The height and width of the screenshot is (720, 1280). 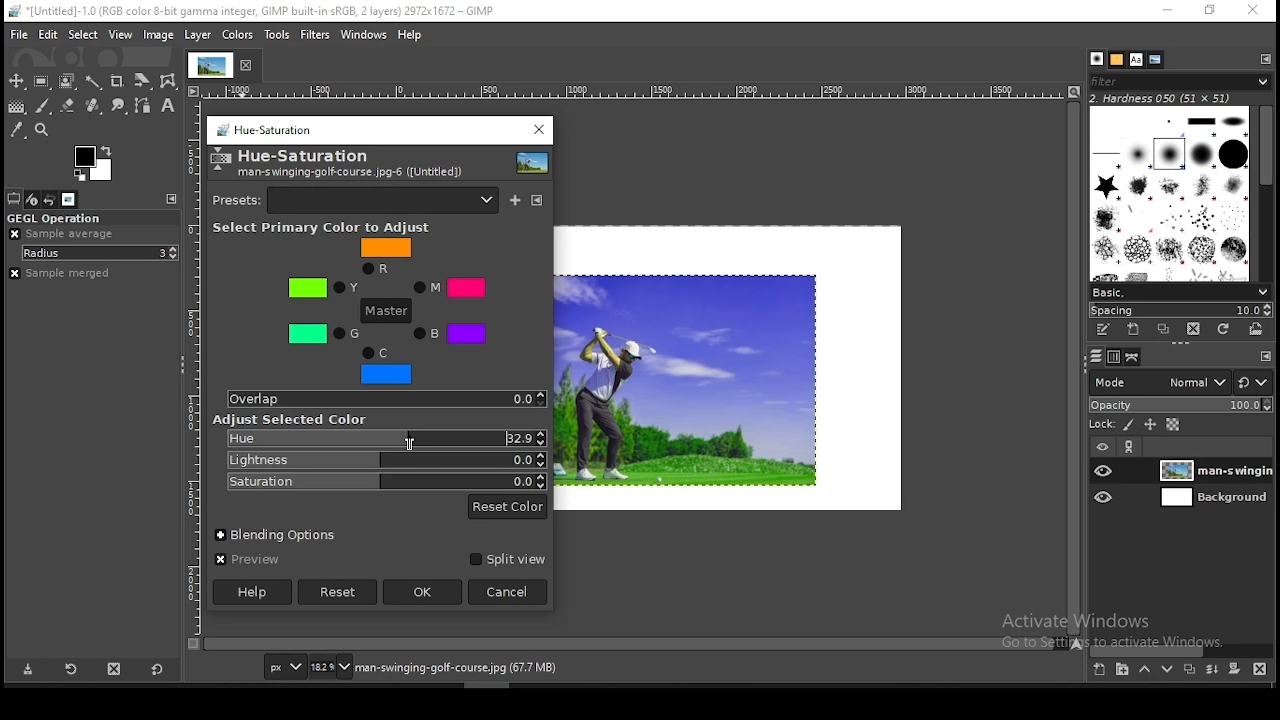 What do you see at coordinates (1135, 60) in the screenshot?
I see `fonts` at bounding box center [1135, 60].